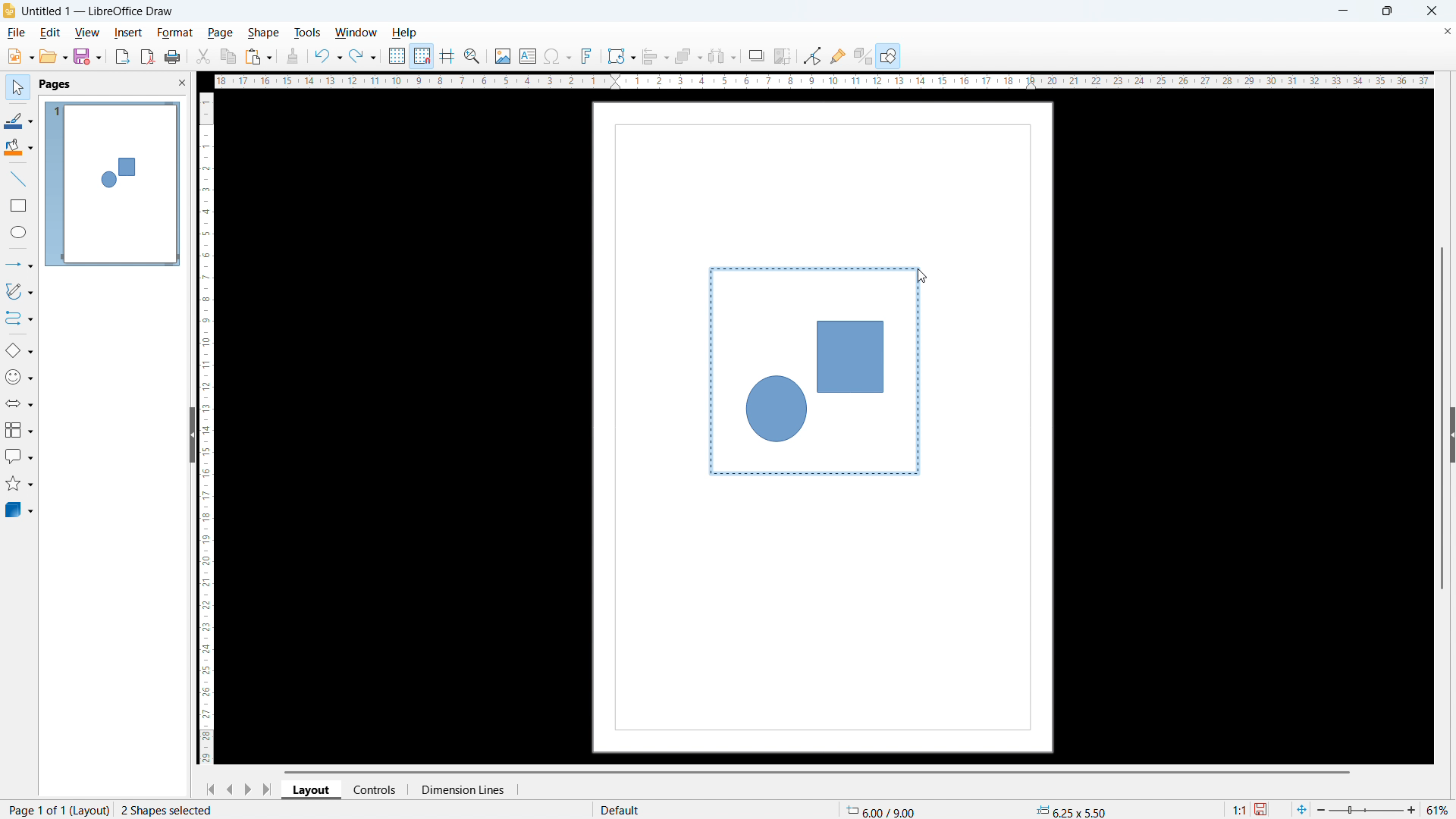 The image size is (1456, 819). Describe the element at coordinates (405, 33) in the screenshot. I see `help` at that location.